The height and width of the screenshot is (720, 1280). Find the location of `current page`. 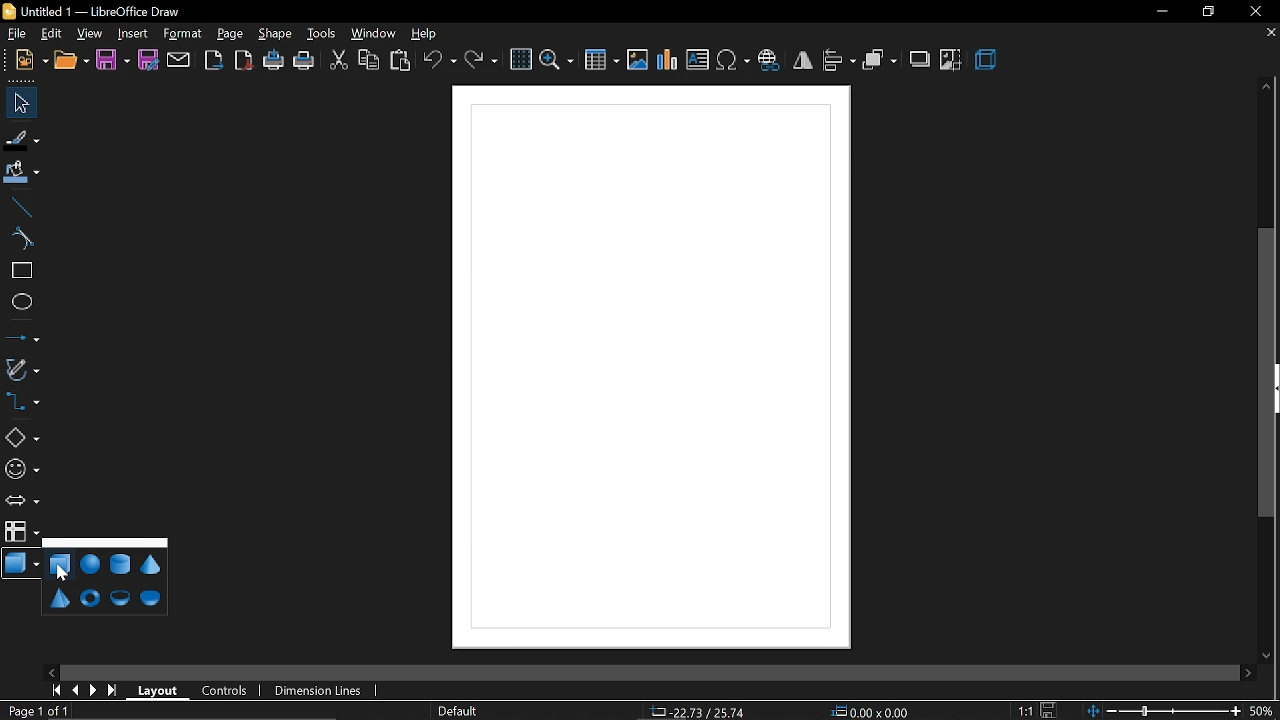

current page is located at coordinates (39, 712).